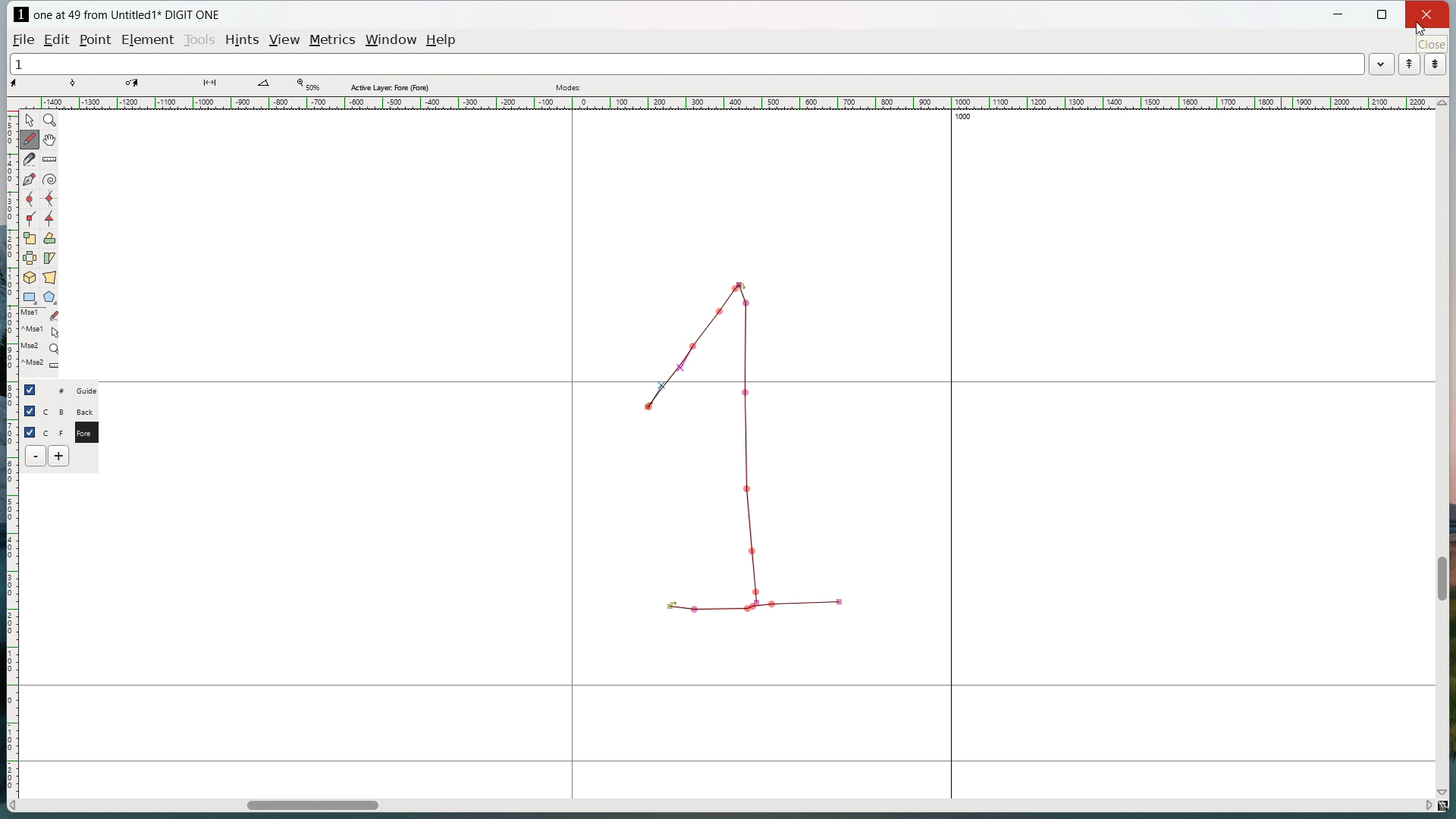 Image resolution: width=1456 pixels, height=819 pixels. What do you see at coordinates (30, 159) in the screenshot?
I see `cut splines in two` at bounding box center [30, 159].